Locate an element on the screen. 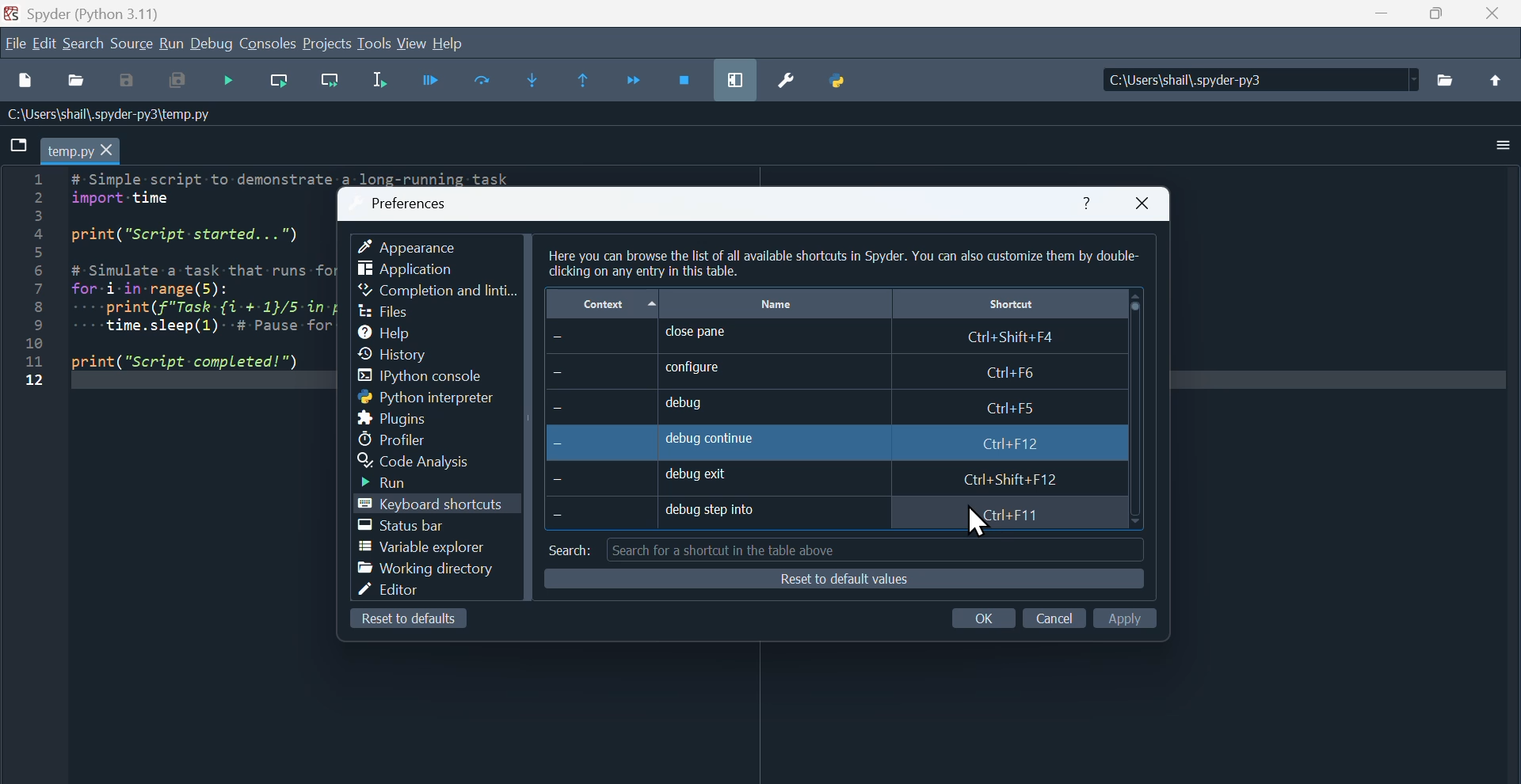 The image size is (1521, 784). Cursor on debug shortcut is located at coordinates (978, 520).